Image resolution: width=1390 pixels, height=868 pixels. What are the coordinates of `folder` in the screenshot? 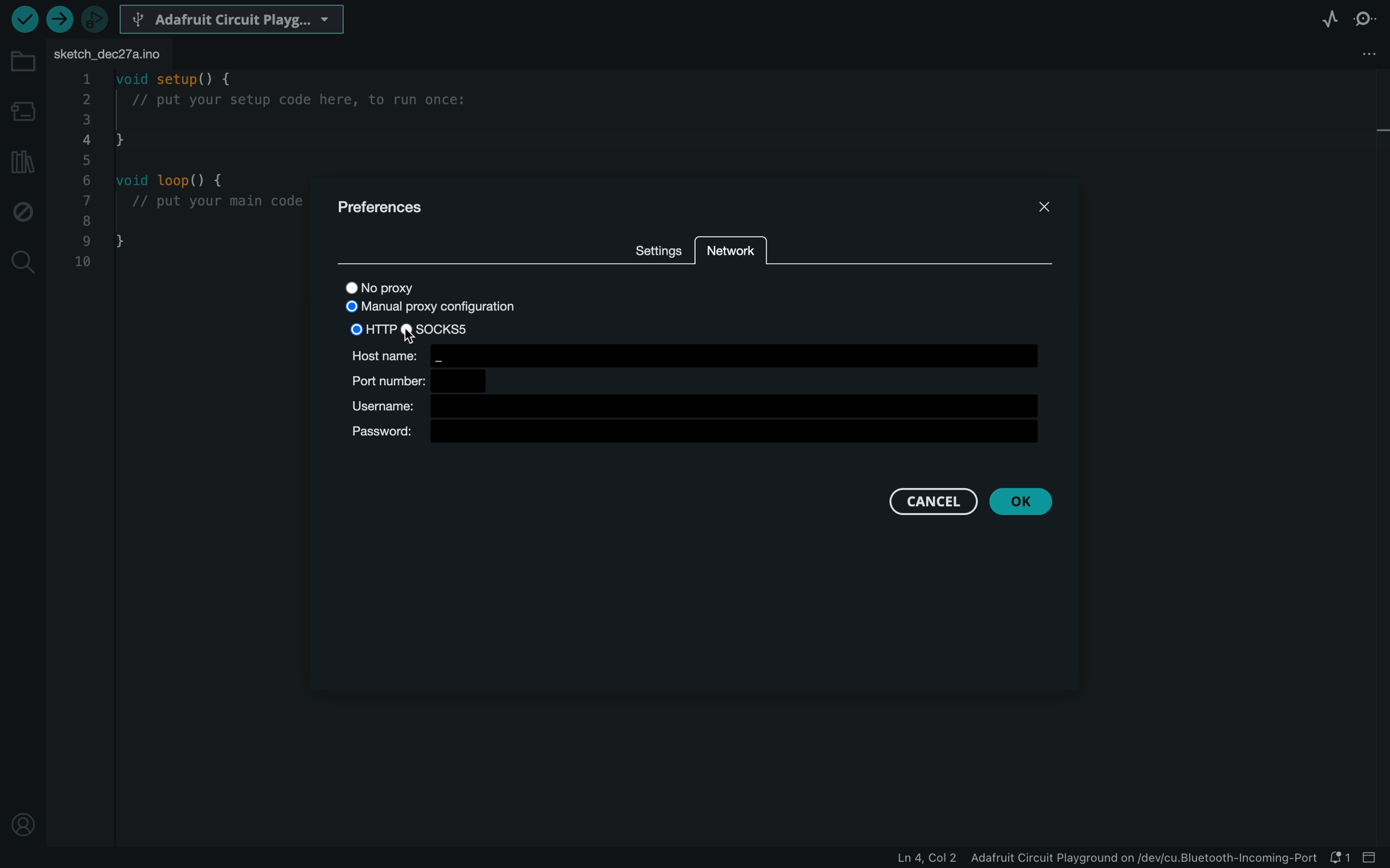 It's located at (23, 62).